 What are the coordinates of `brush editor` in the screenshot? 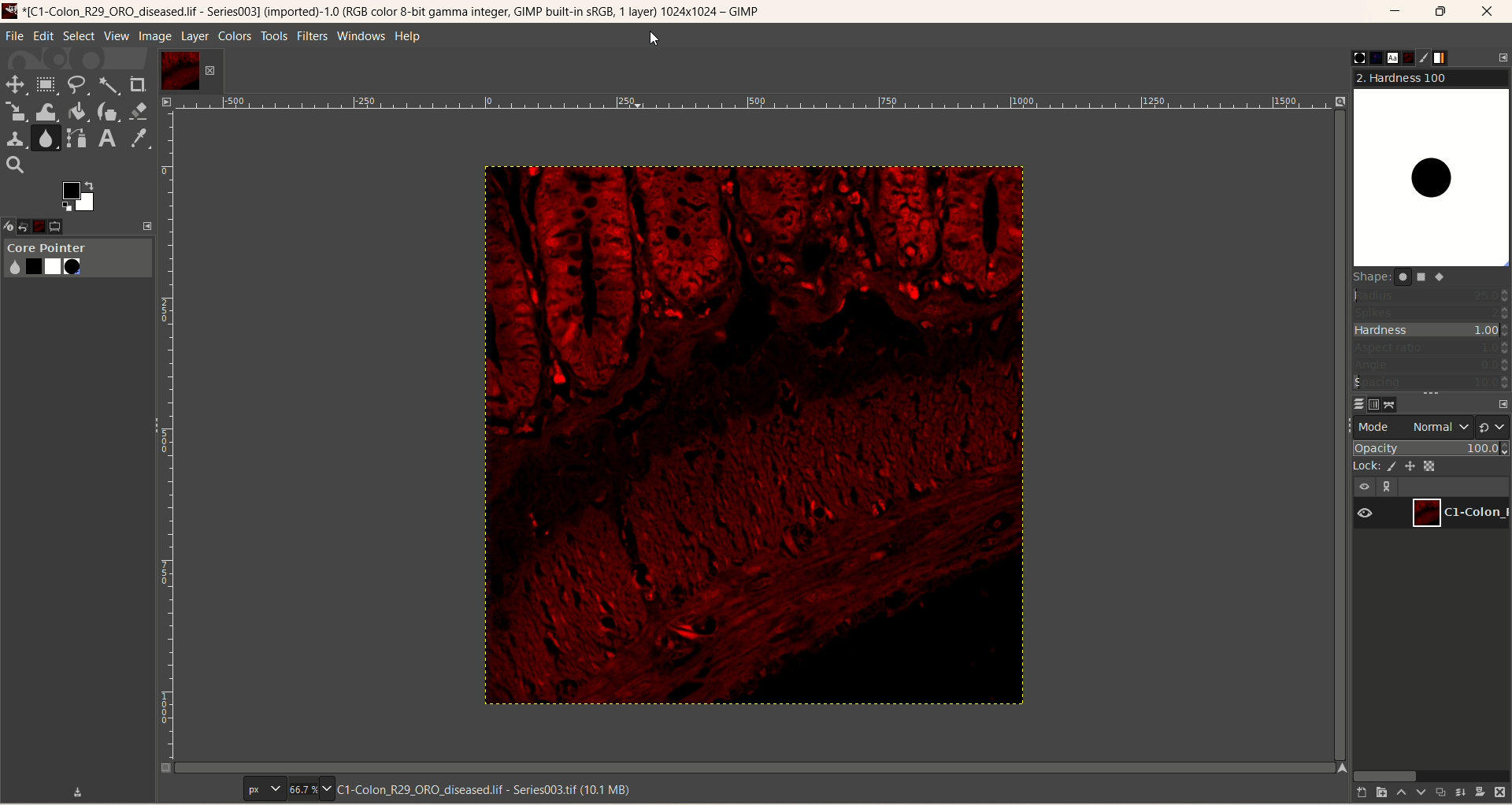 It's located at (1427, 57).